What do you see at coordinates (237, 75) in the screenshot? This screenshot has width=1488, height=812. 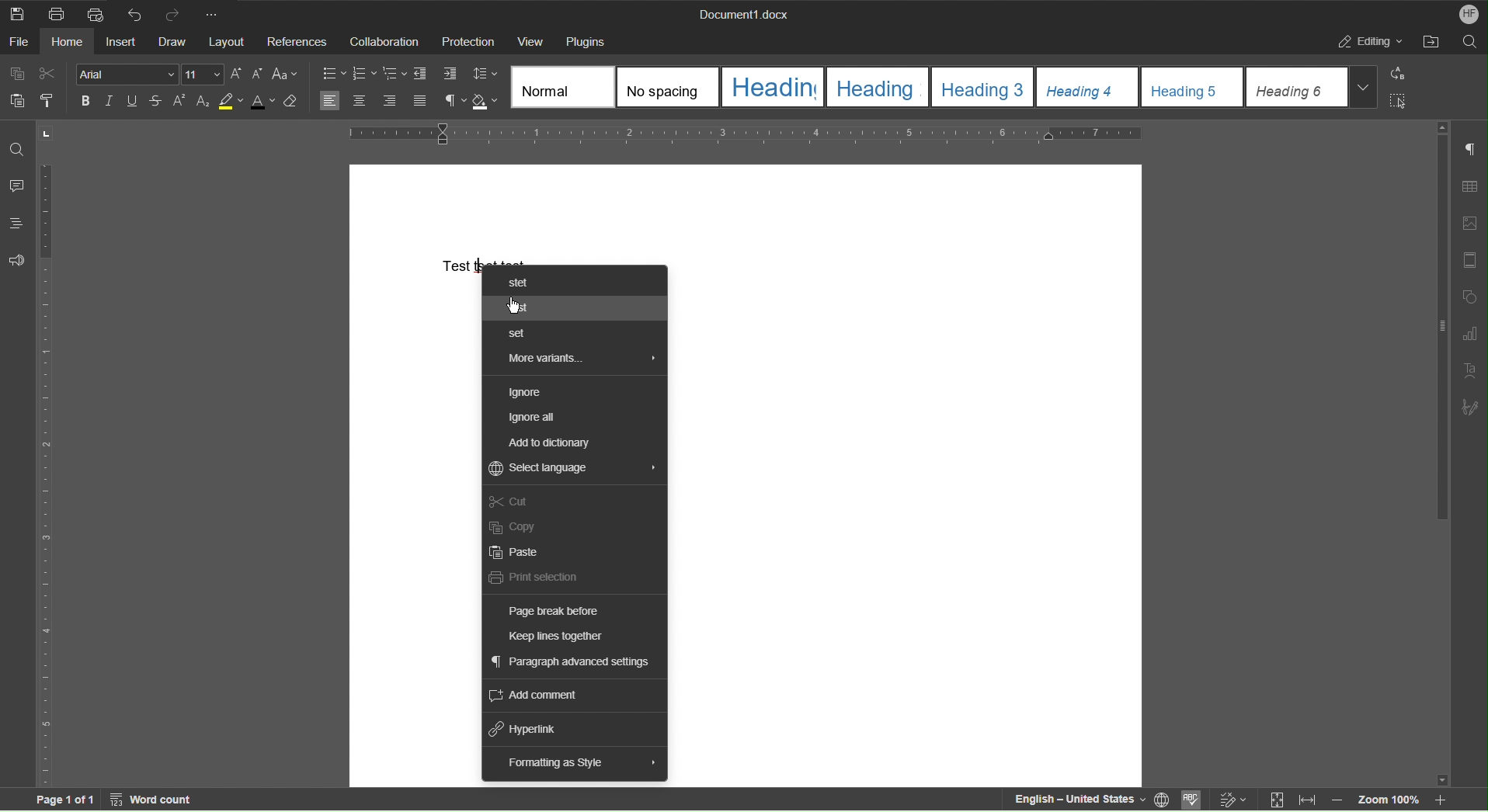 I see `Increase Font Size` at bounding box center [237, 75].